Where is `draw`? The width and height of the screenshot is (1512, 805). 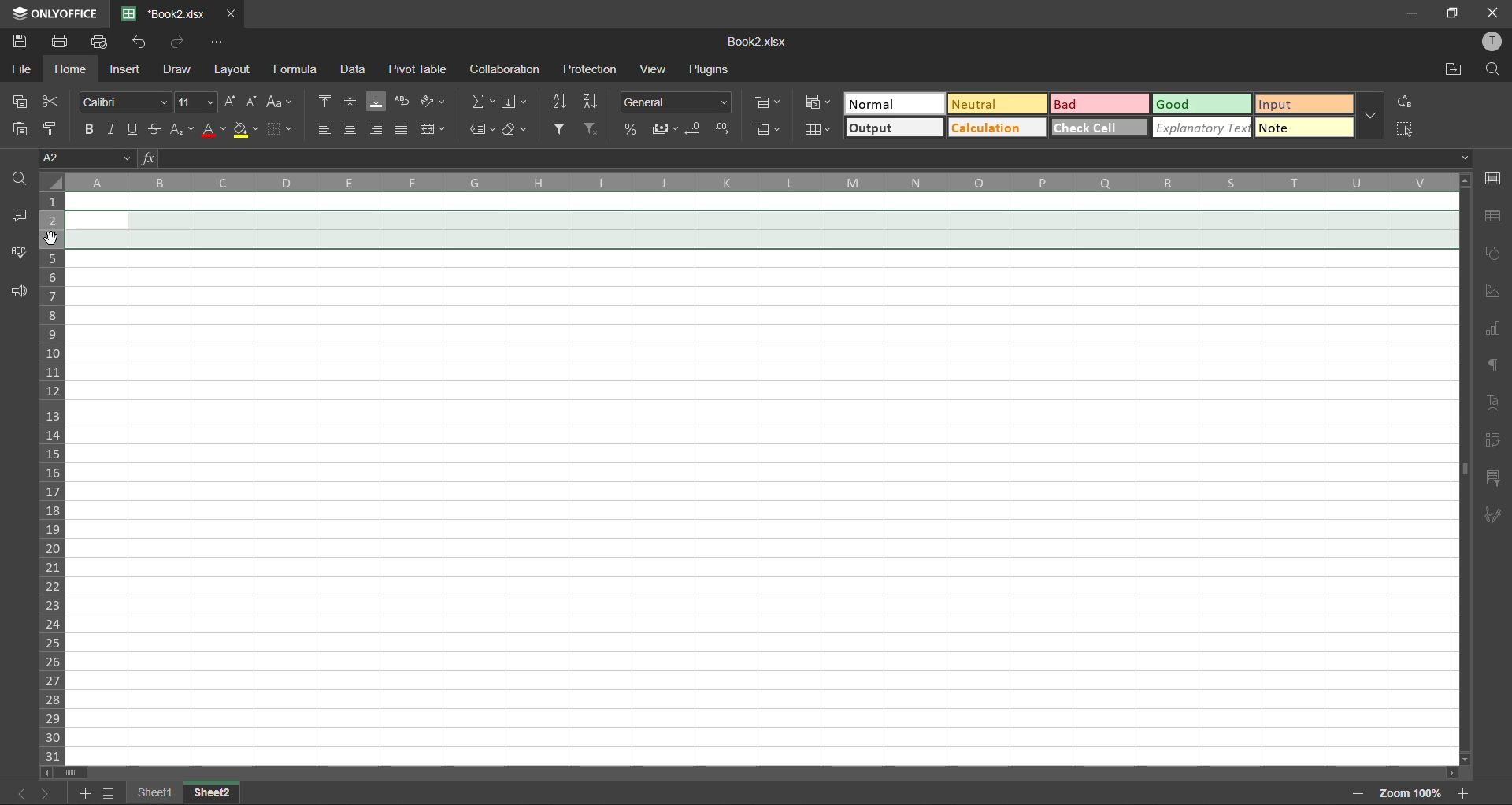
draw is located at coordinates (175, 68).